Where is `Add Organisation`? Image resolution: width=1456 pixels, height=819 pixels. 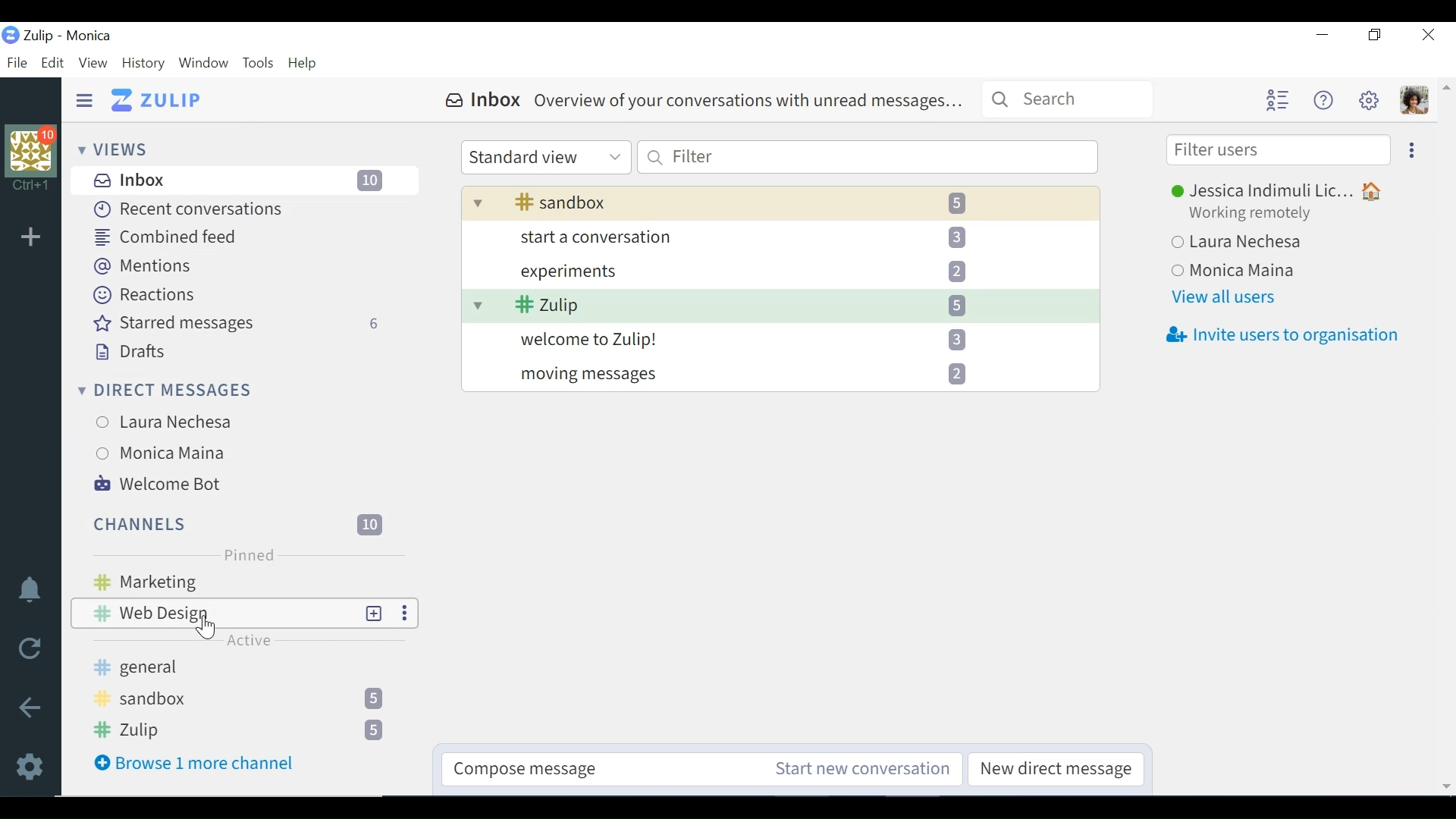 Add Organisation is located at coordinates (31, 236).